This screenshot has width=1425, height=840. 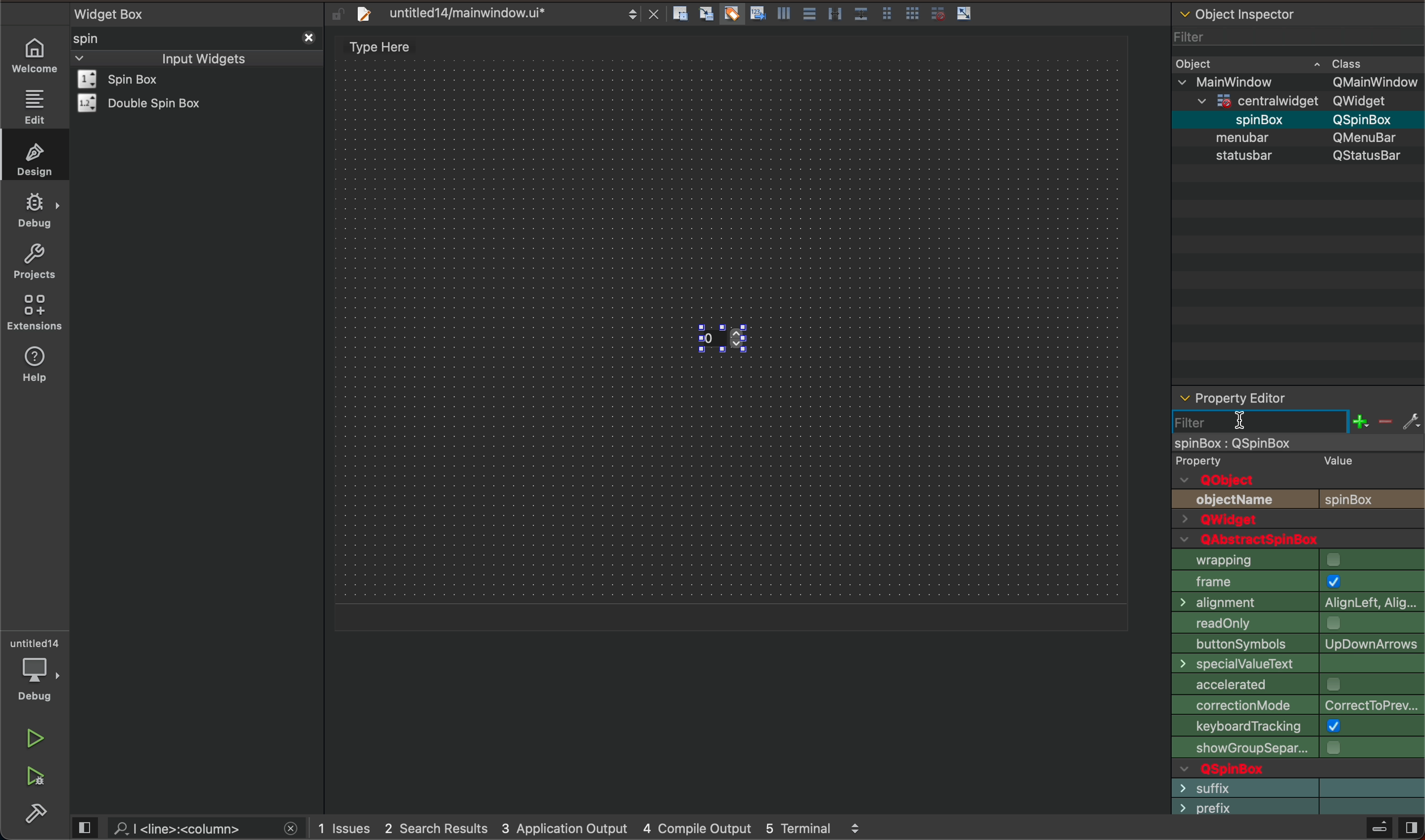 I want to click on document mode, so click(x=1299, y=620).